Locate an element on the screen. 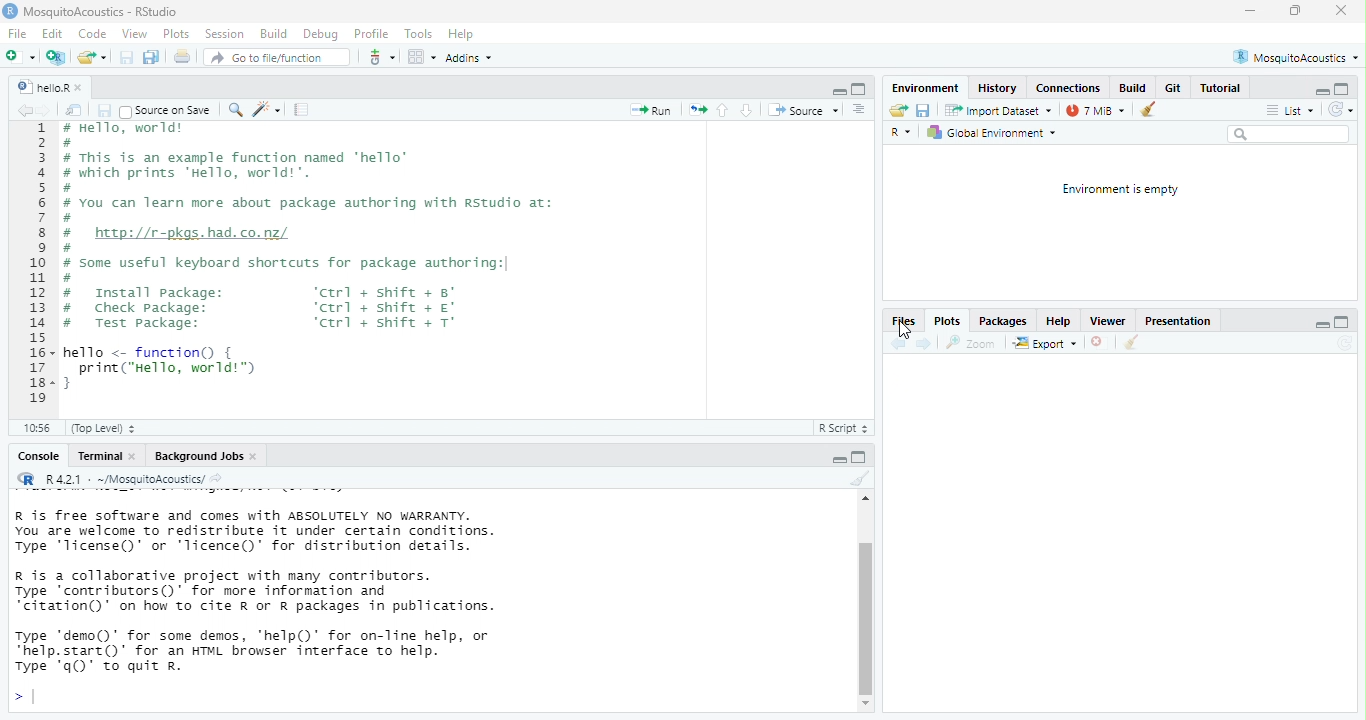 This screenshot has width=1366, height=720. Connections. is located at coordinates (1070, 87).